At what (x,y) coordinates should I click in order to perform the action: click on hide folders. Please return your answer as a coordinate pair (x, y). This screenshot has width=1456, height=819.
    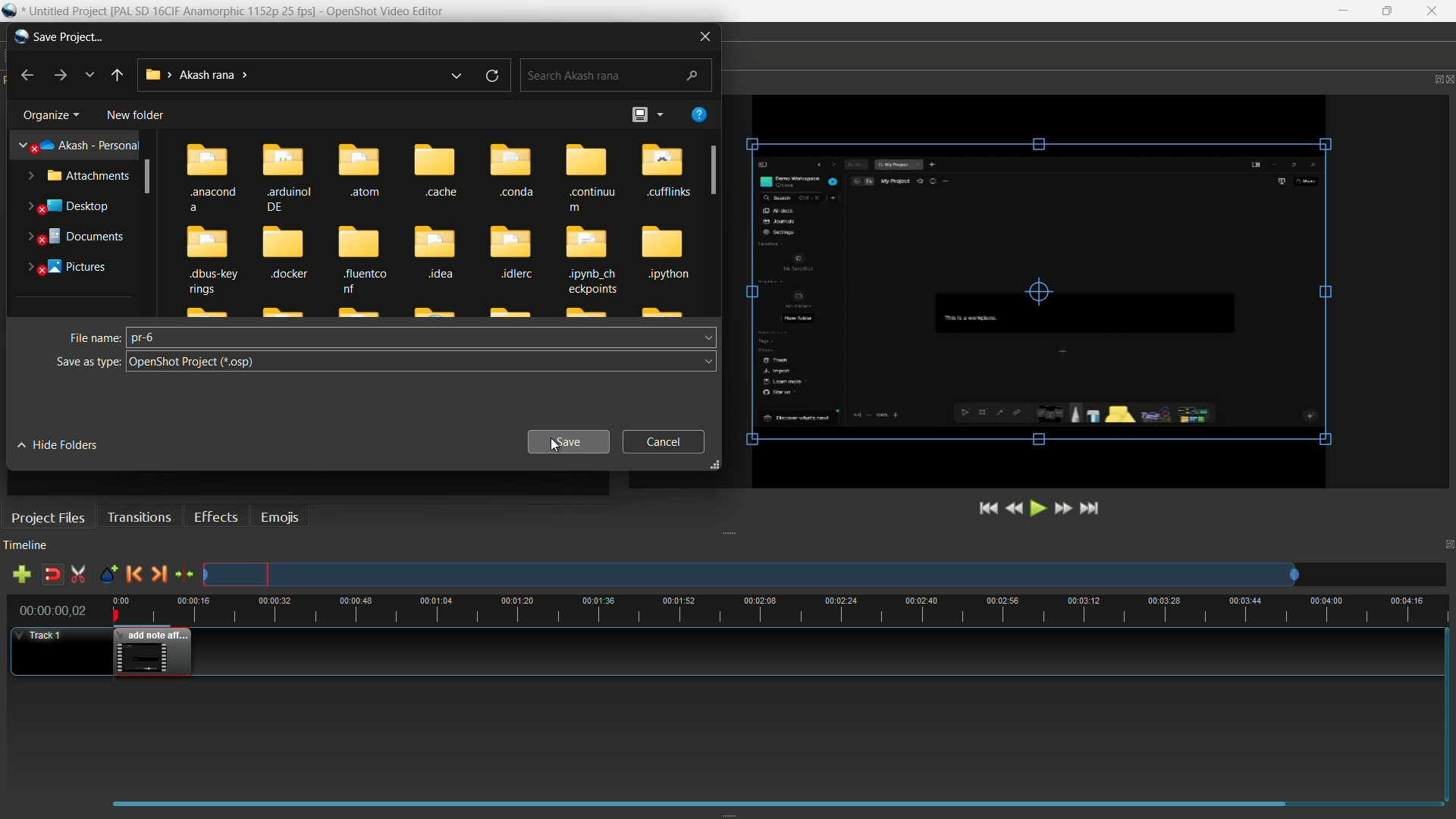
    Looking at the image, I should click on (58, 446).